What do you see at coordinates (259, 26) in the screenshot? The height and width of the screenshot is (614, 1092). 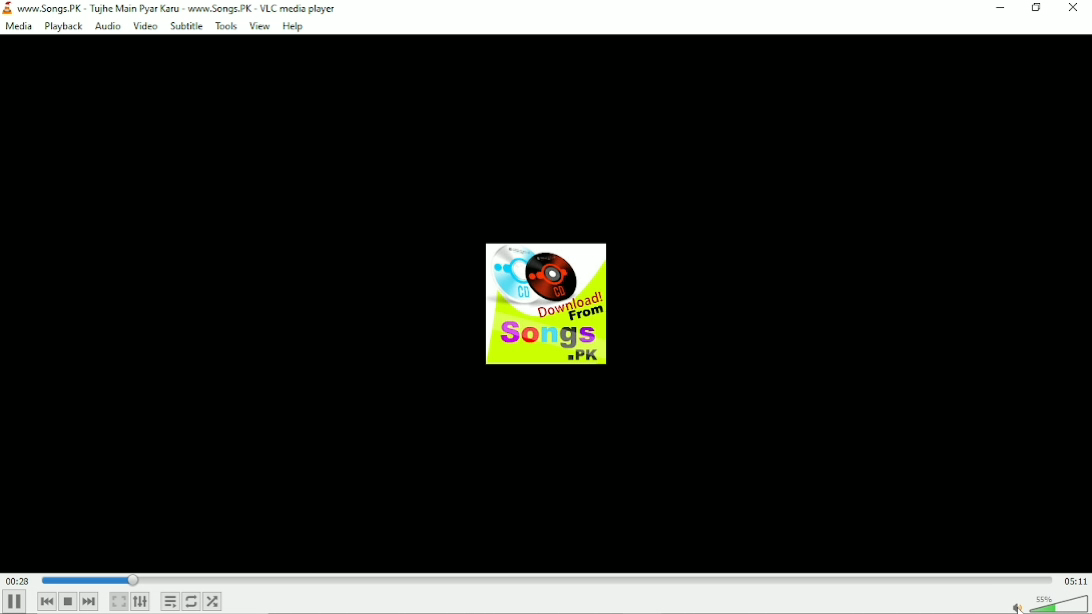 I see `View` at bounding box center [259, 26].